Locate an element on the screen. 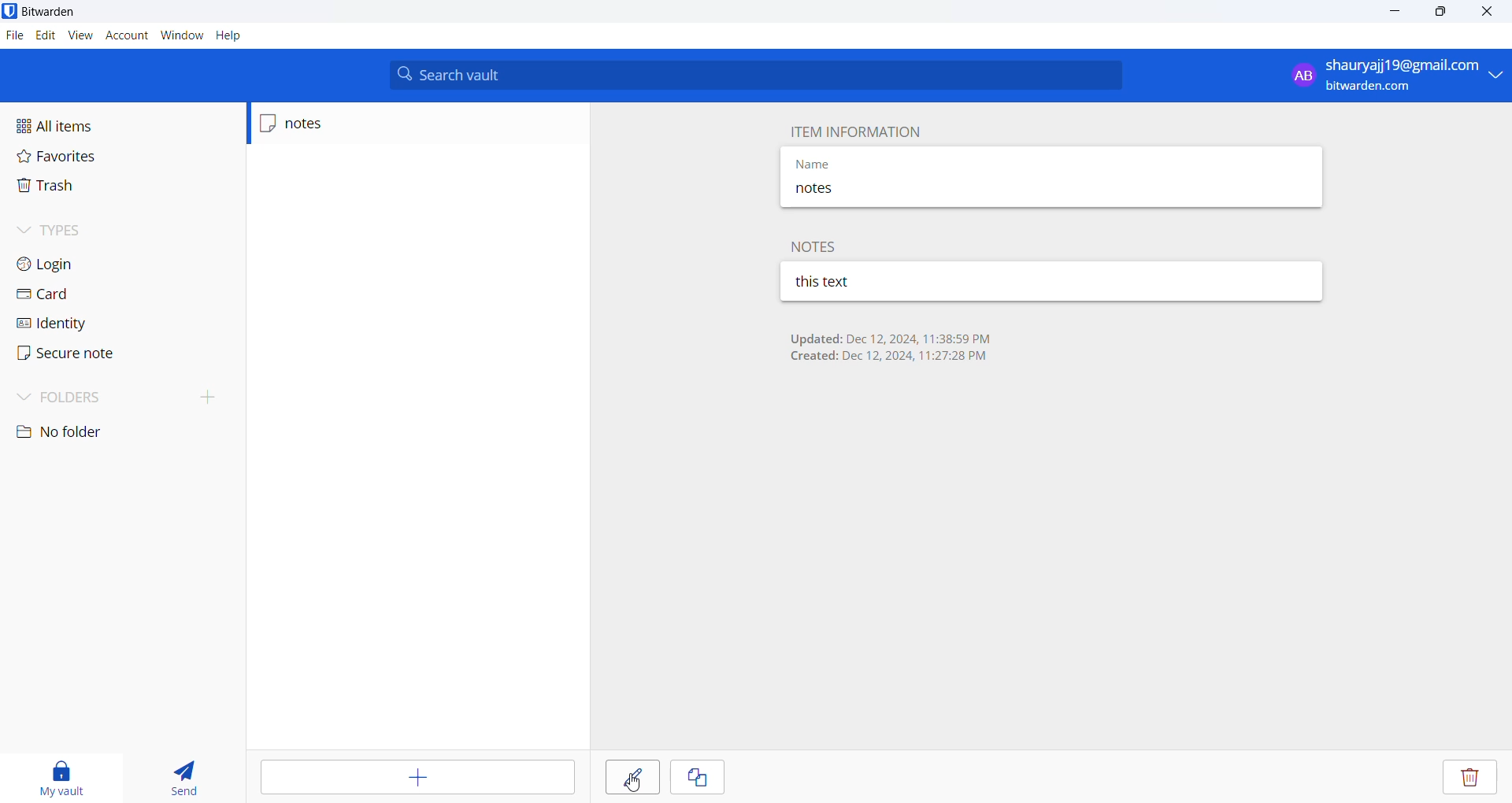 The height and width of the screenshot is (803, 1512). view is located at coordinates (79, 35).